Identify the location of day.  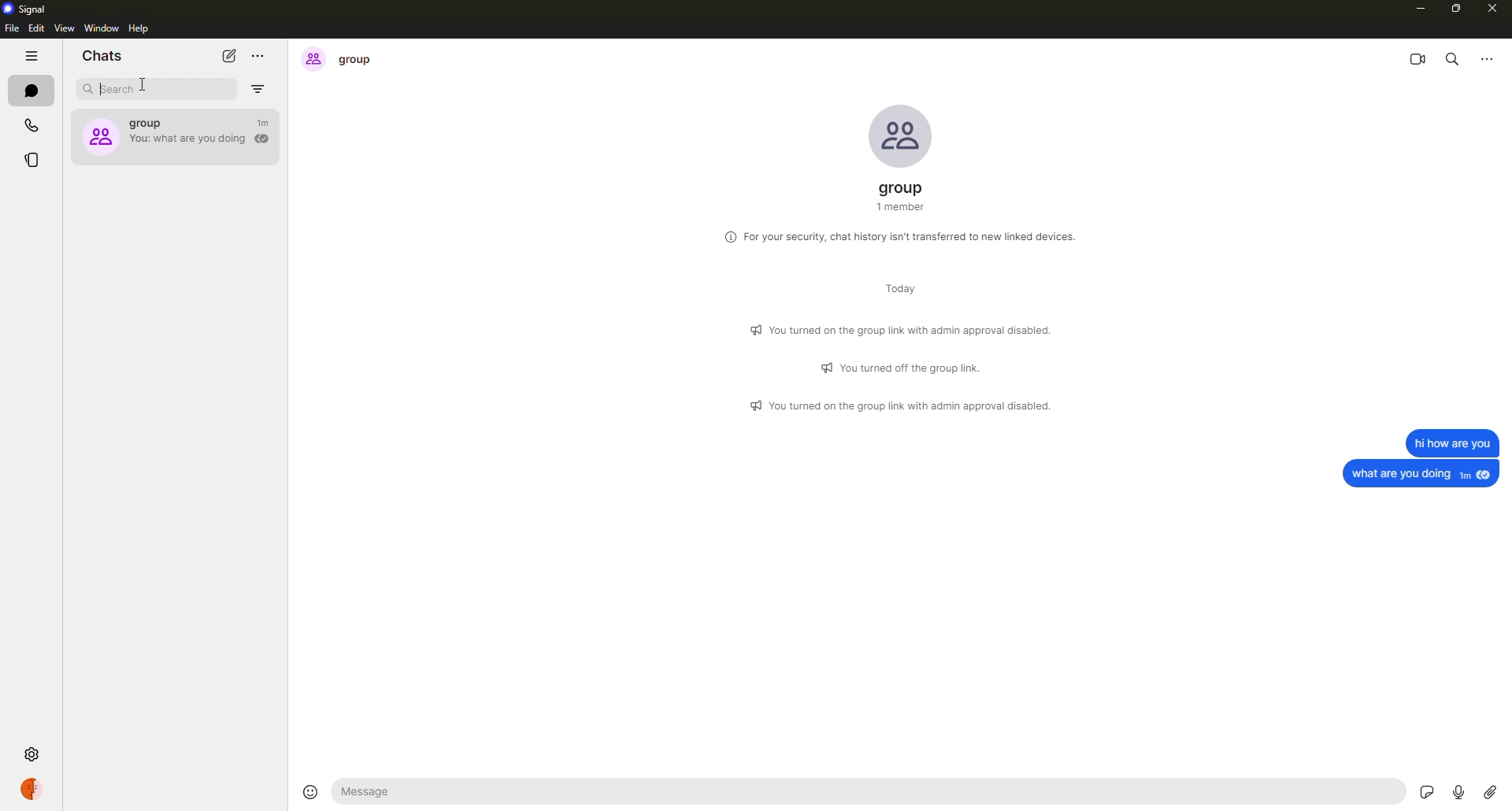
(893, 291).